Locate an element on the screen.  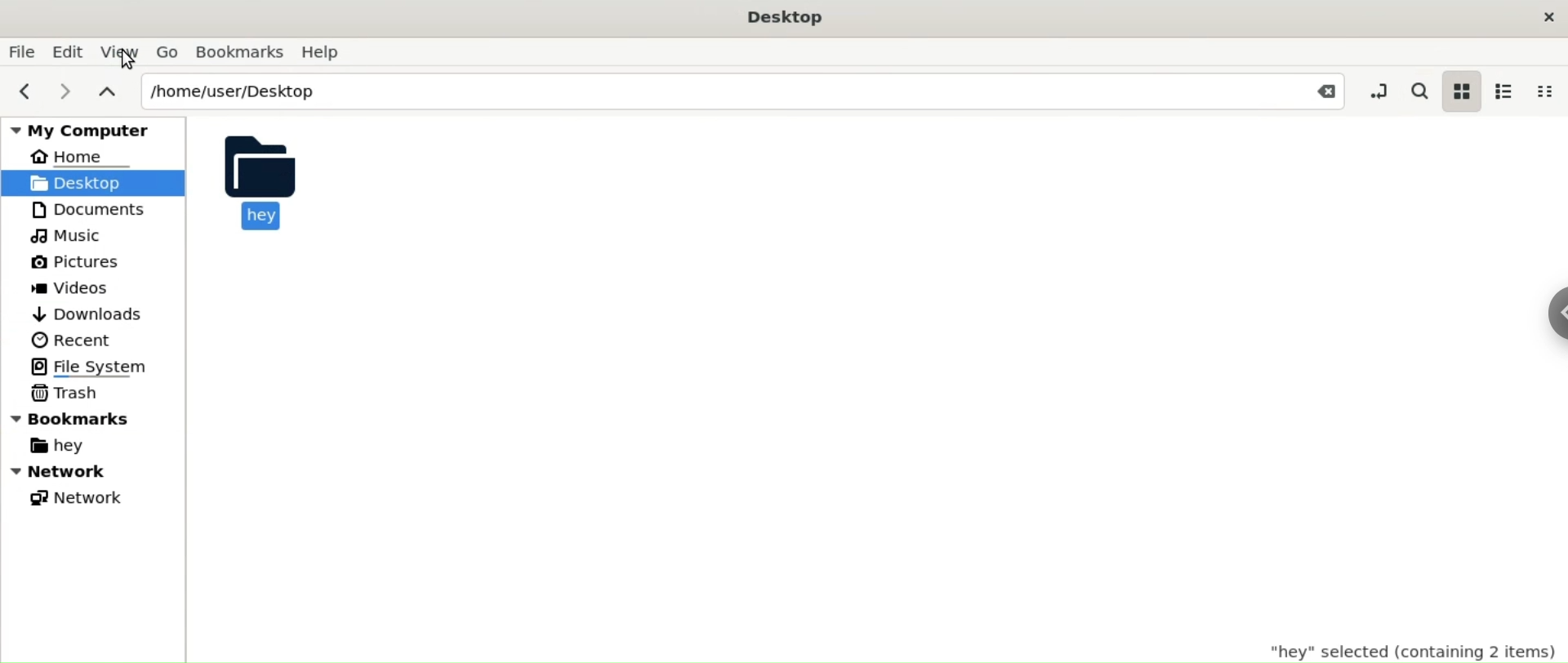
parent folders is located at coordinates (106, 90).